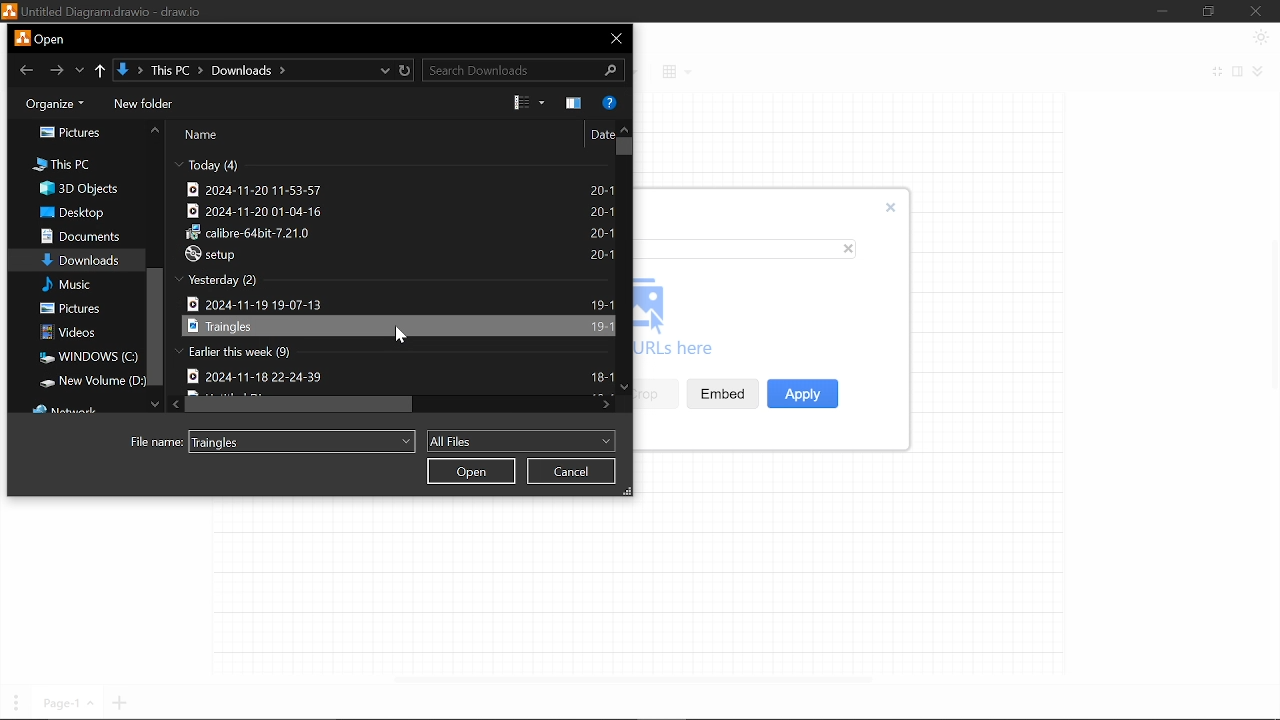  I want to click on untitled diagram.drawio-draw.io, so click(114, 11).